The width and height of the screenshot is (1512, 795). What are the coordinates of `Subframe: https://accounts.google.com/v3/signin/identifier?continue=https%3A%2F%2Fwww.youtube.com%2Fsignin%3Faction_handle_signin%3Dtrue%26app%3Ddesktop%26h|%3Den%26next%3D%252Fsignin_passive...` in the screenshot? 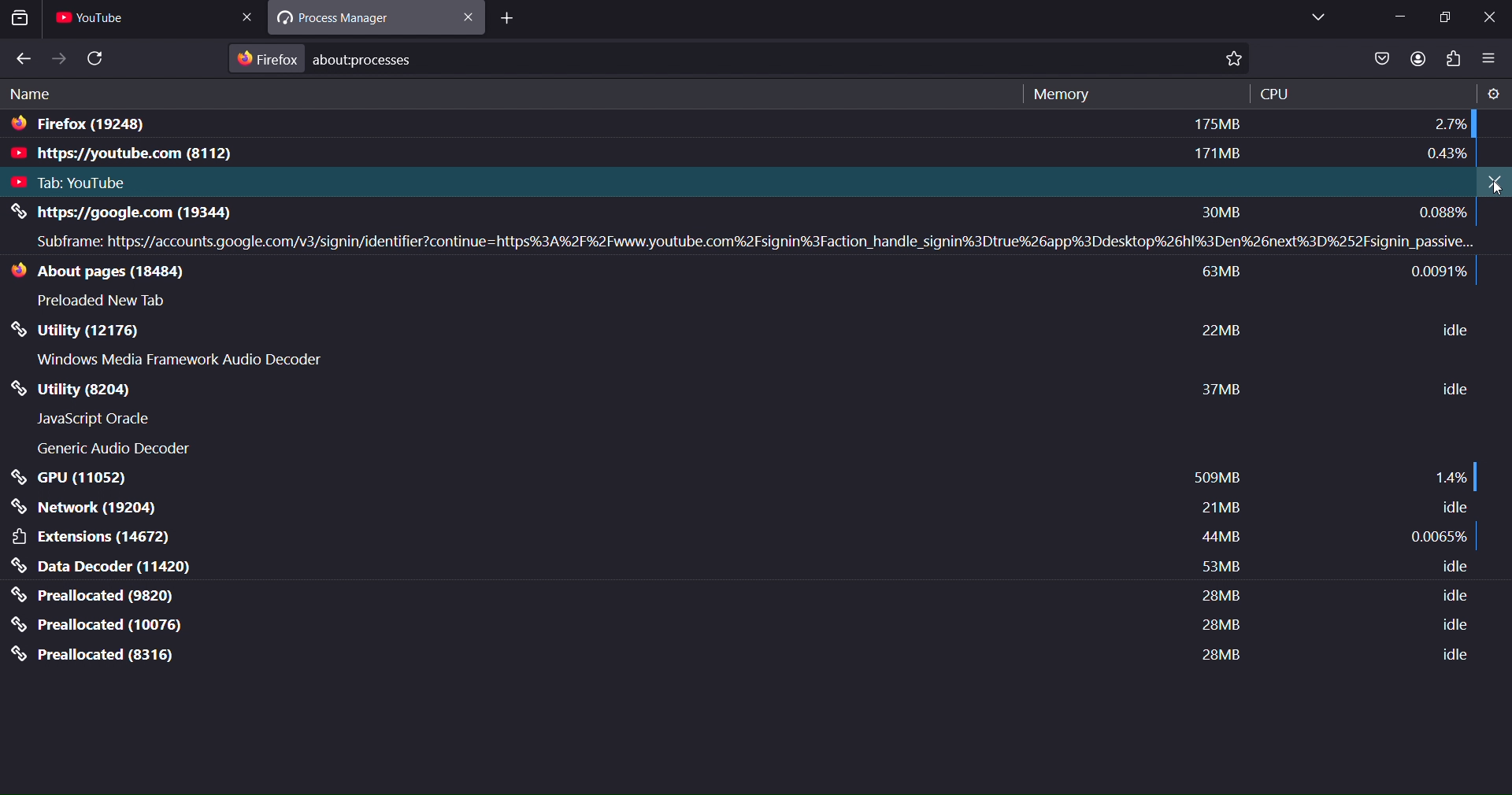 It's located at (754, 243).